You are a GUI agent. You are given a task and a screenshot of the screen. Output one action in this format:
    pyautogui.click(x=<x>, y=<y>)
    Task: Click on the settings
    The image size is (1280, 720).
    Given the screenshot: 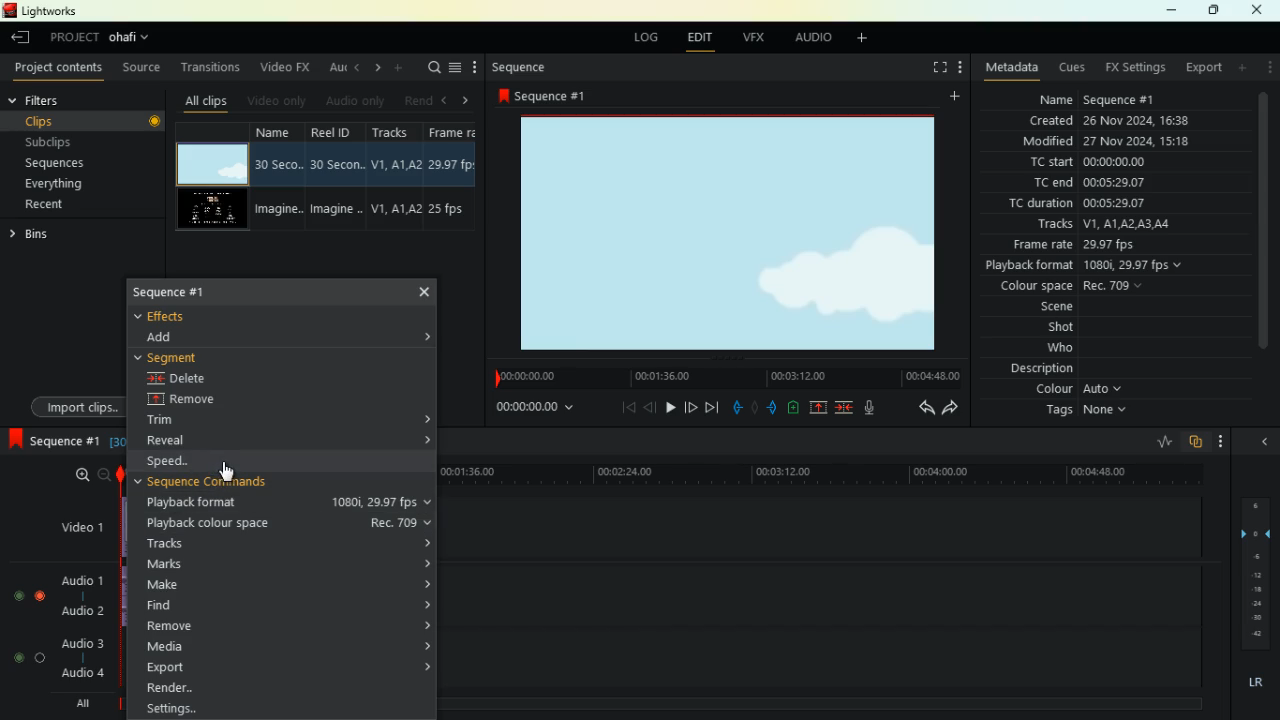 What is the action you would take?
    pyautogui.click(x=282, y=710)
    